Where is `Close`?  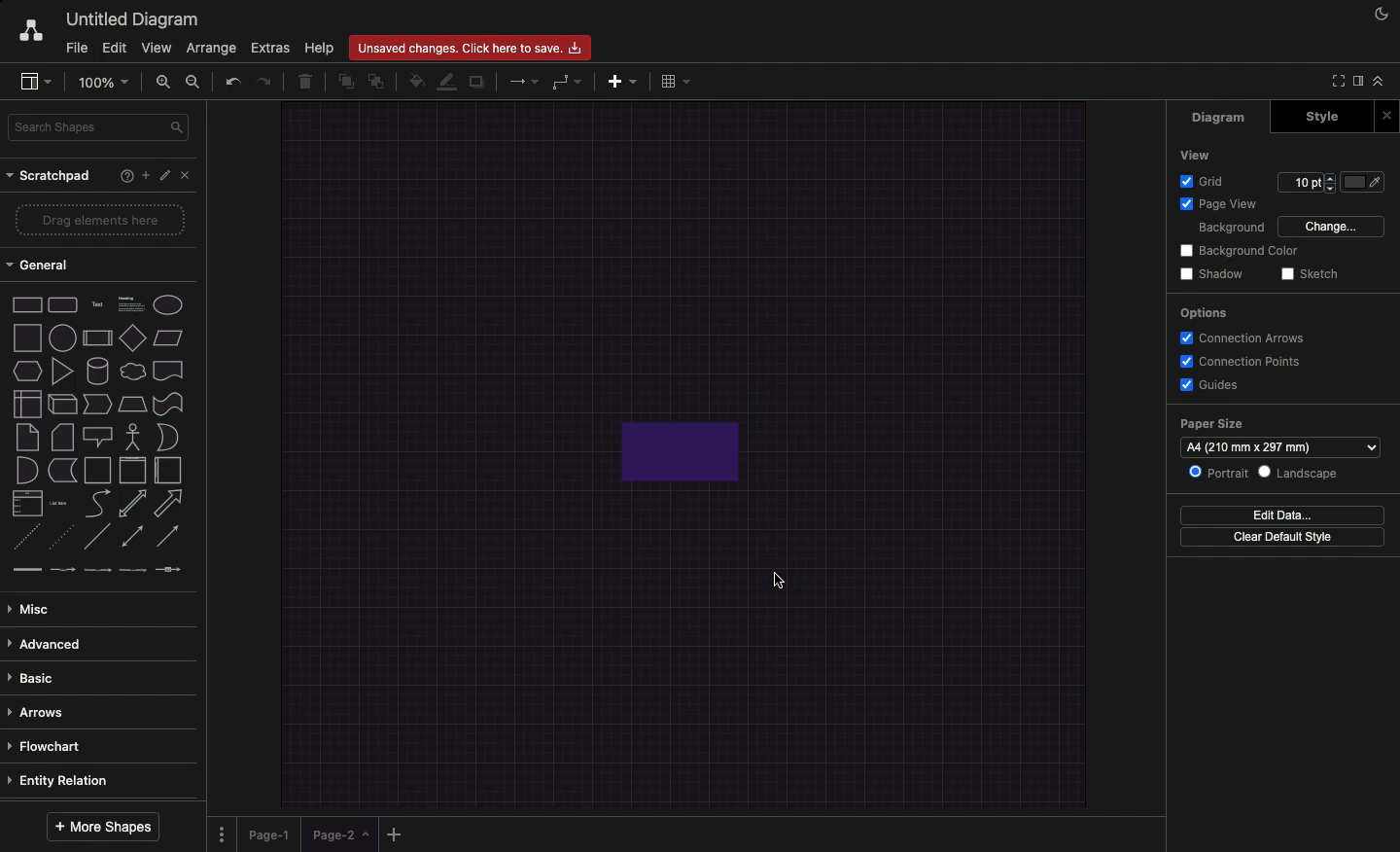 Close is located at coordinates (1385, 115).